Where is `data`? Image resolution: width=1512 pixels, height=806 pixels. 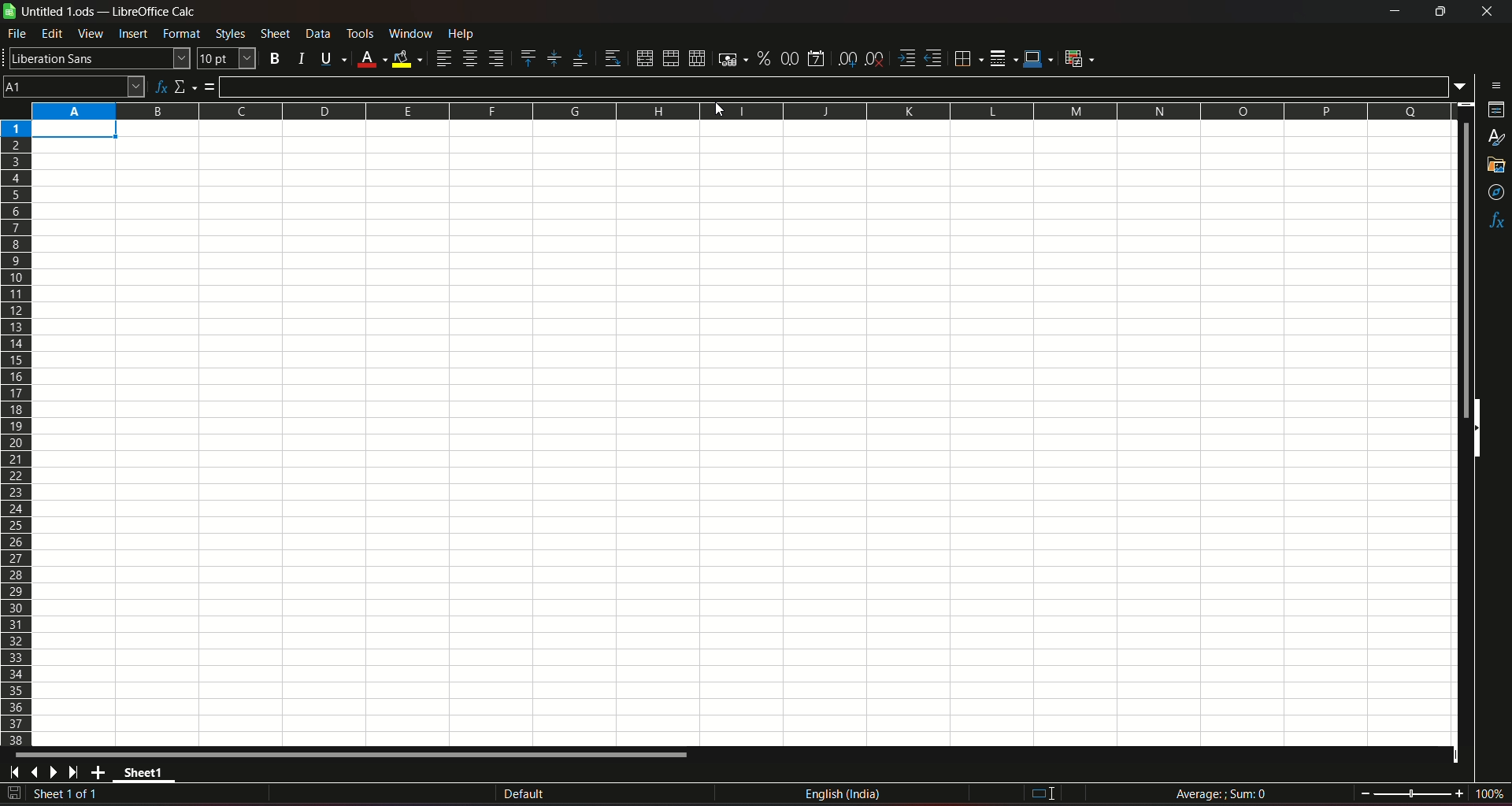 data is located at coordinates (317, 34).